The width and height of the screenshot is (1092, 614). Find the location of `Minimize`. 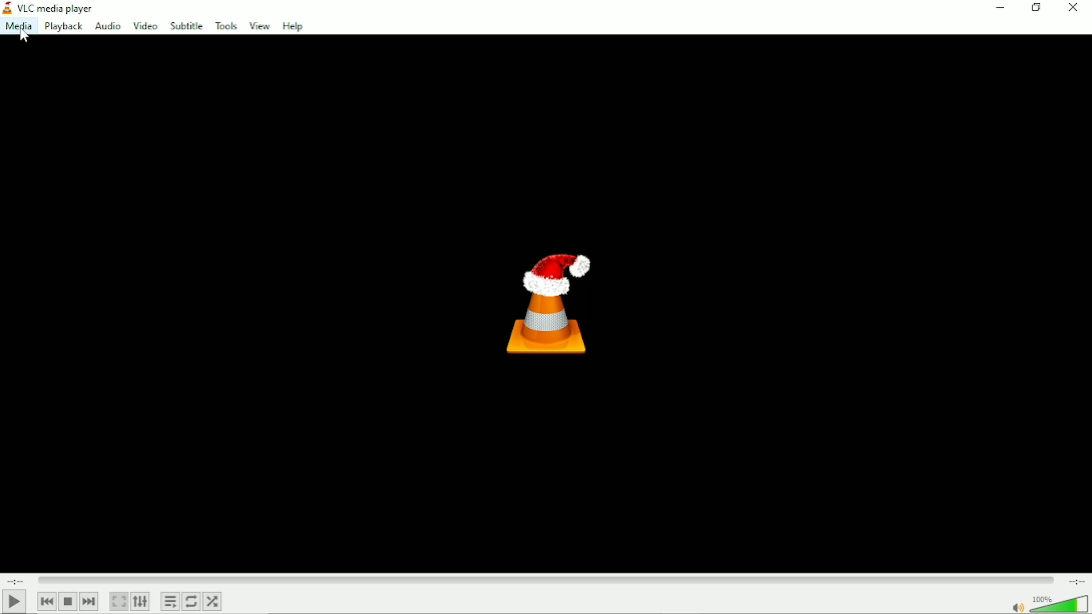

Minimize is located at coordinates (1001, 8).